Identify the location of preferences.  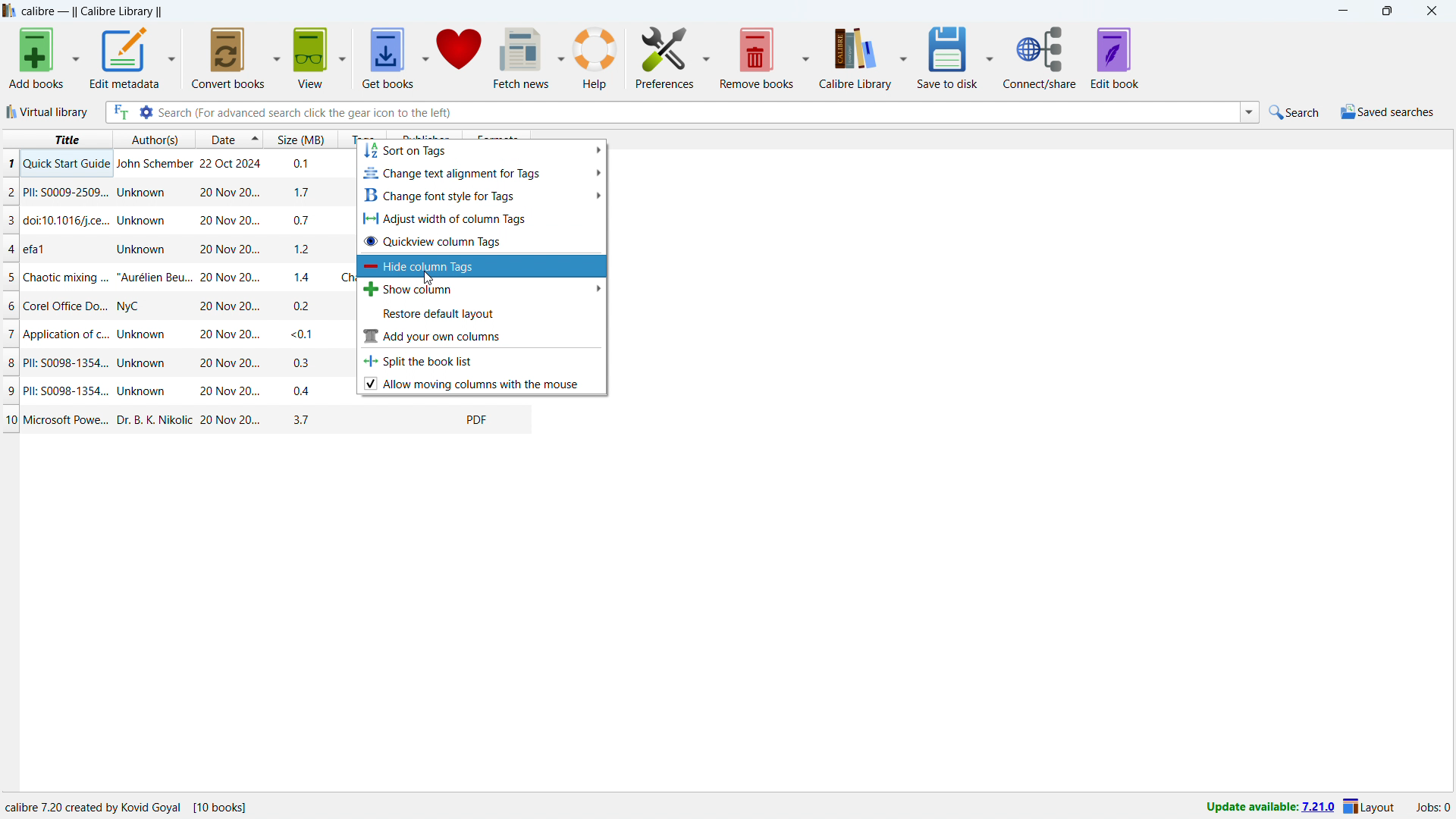
(707, 58).